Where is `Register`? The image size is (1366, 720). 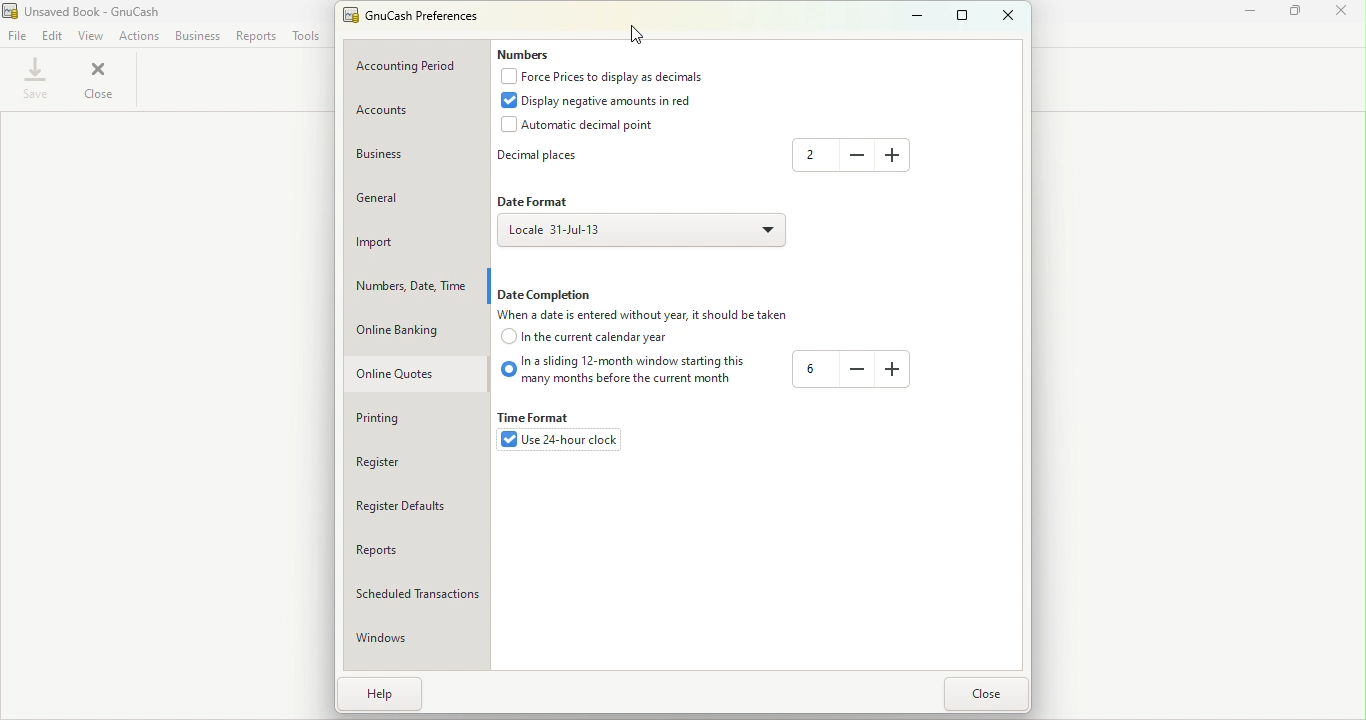
Register is located at coordinates (404, 460).